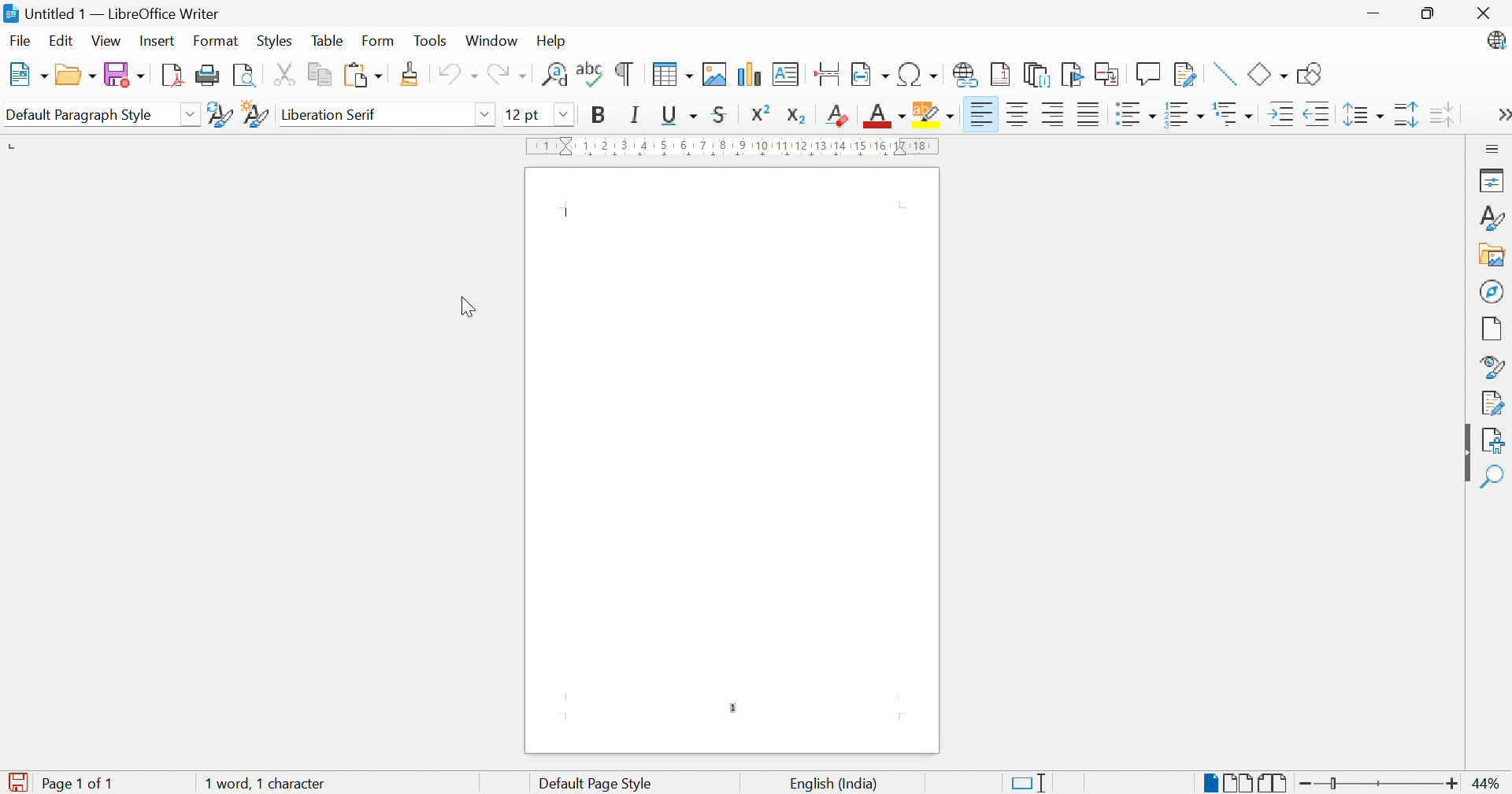 Image resolution: width=1512 pixels, height=794 pixels. Describe the element at coordinates (1495, 147) in the screenshot. I see `Sidebar settings` at that location.